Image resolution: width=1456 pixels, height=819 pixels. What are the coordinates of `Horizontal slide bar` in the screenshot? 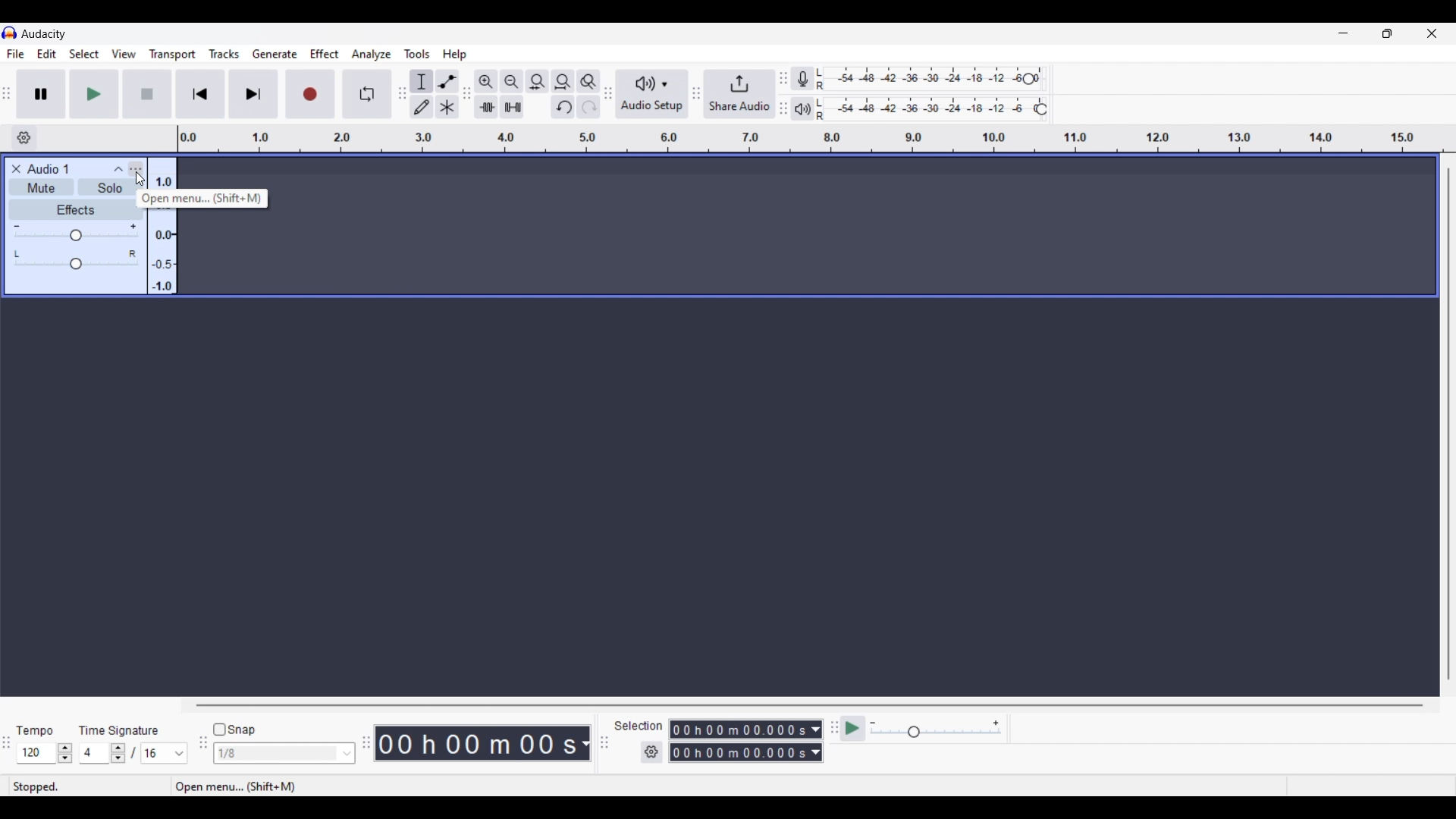 It's located at (810, 705).